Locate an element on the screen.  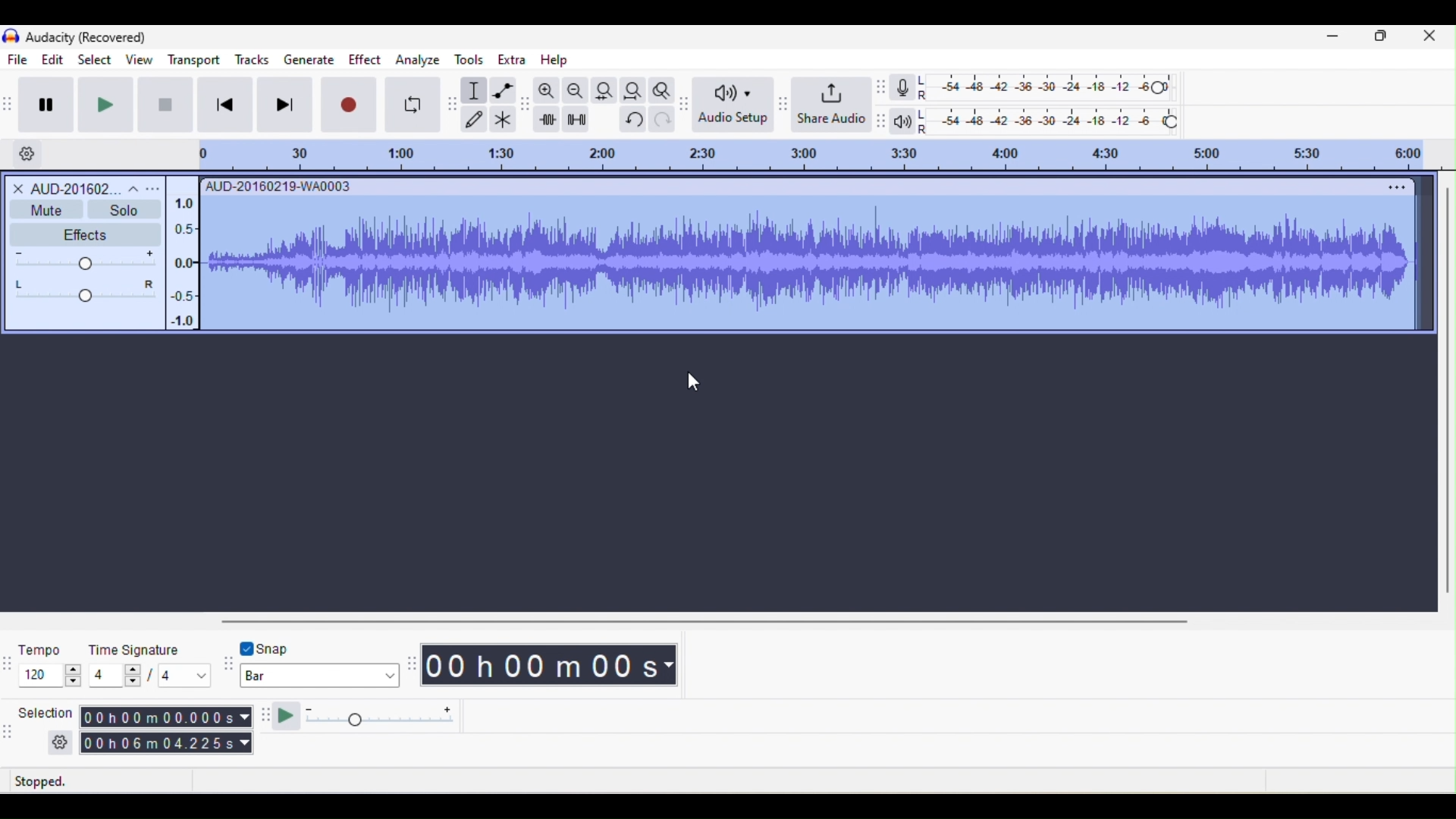
share audio is located at coordinates (832, 102).